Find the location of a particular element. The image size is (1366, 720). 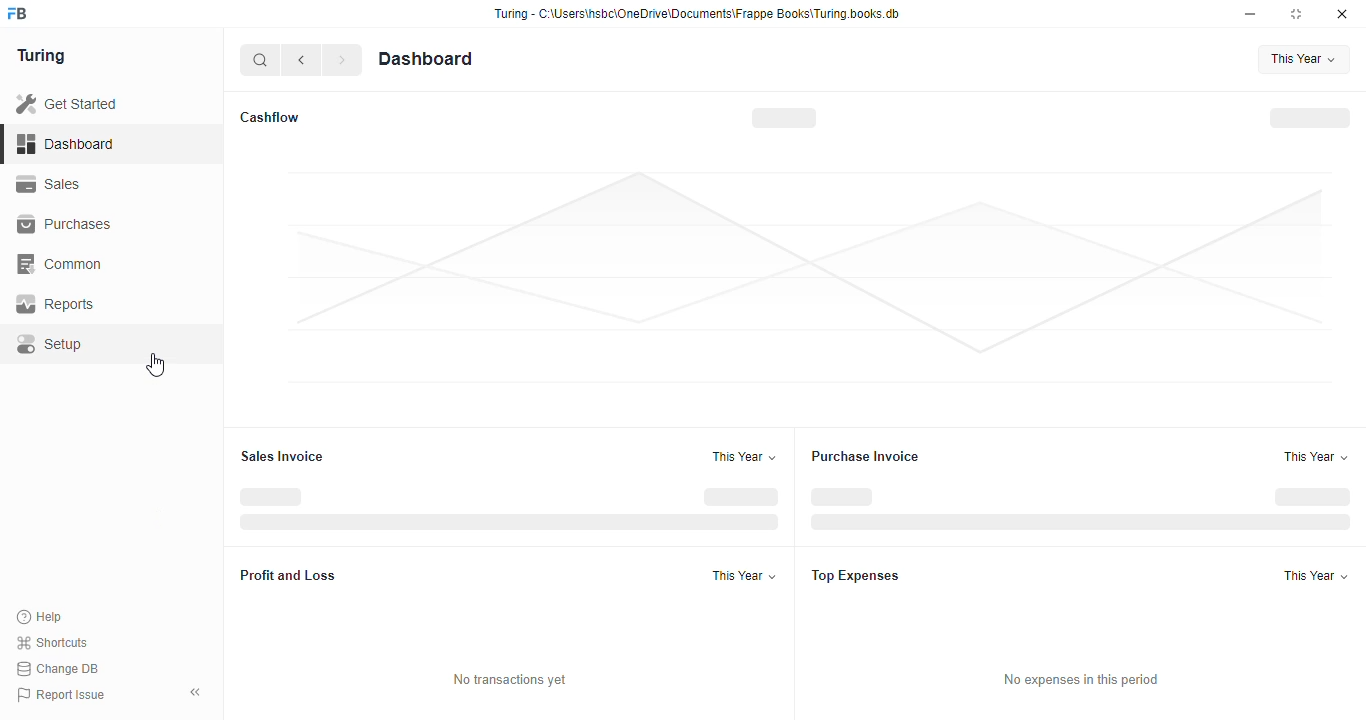

this year is located at coordinates (744, 575).